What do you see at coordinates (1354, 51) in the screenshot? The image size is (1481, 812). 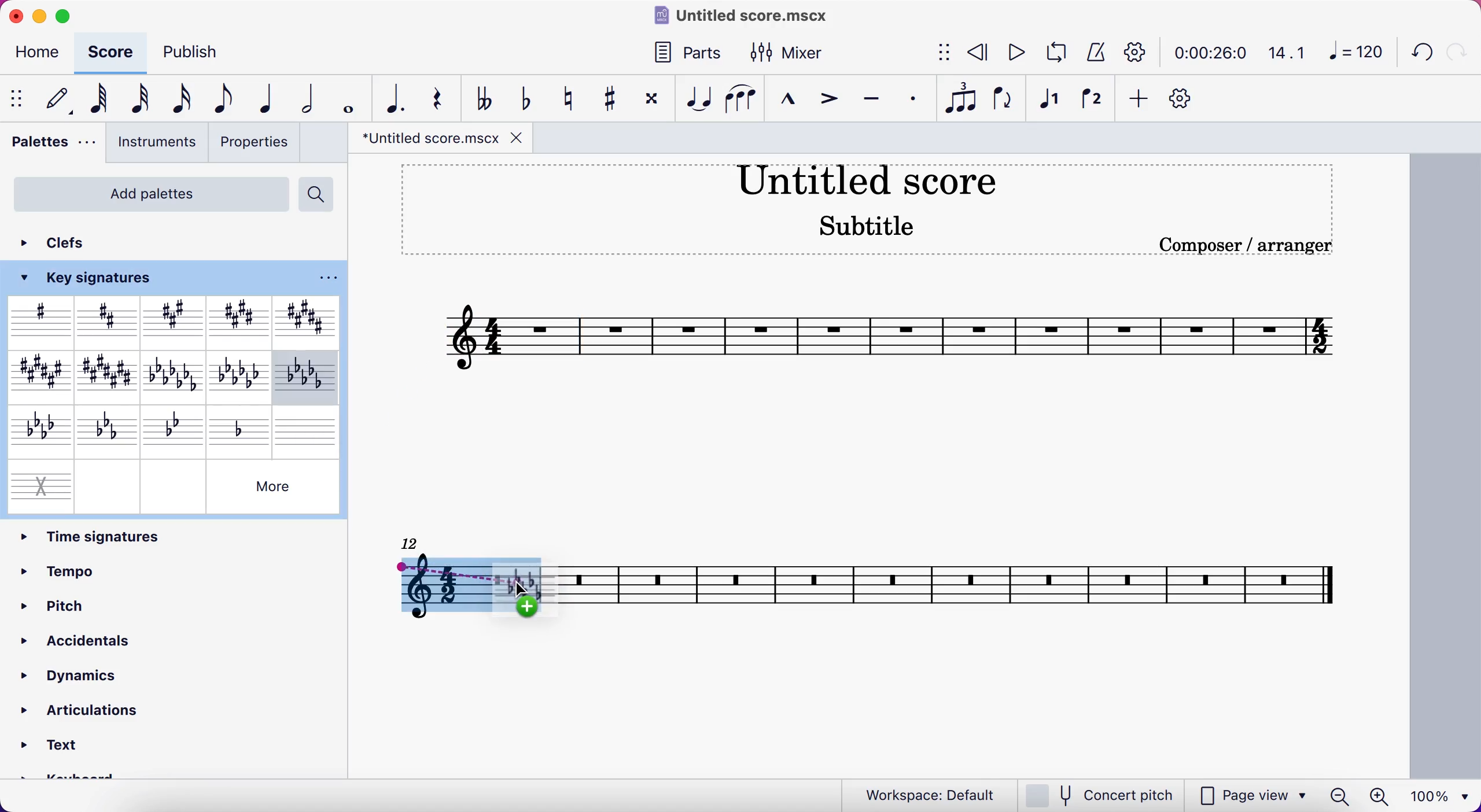 I see `120` at bounding box center [1354, 51].